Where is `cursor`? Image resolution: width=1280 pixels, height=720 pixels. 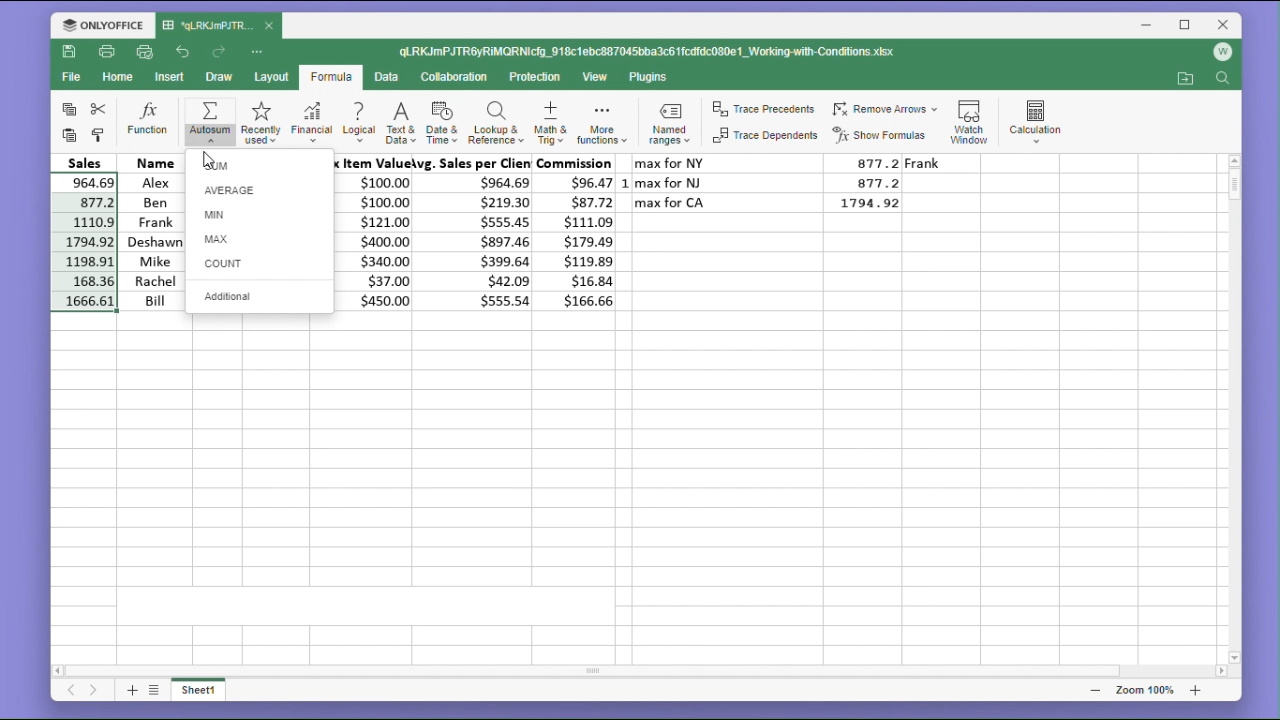
cursor is located at coordinates (205, 156).